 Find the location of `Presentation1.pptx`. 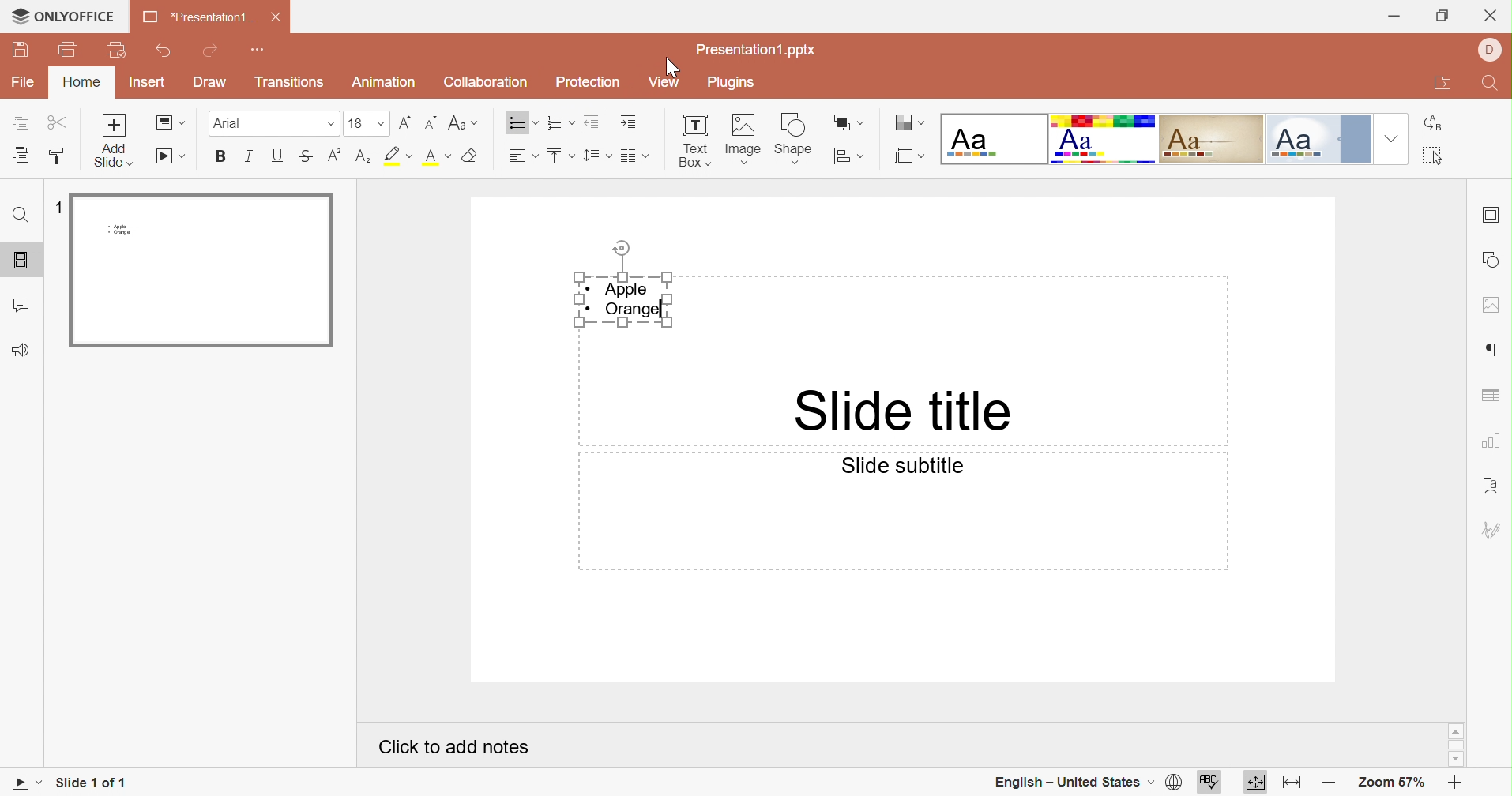

Presentation1.pptx is located at coordinates (762, 50).